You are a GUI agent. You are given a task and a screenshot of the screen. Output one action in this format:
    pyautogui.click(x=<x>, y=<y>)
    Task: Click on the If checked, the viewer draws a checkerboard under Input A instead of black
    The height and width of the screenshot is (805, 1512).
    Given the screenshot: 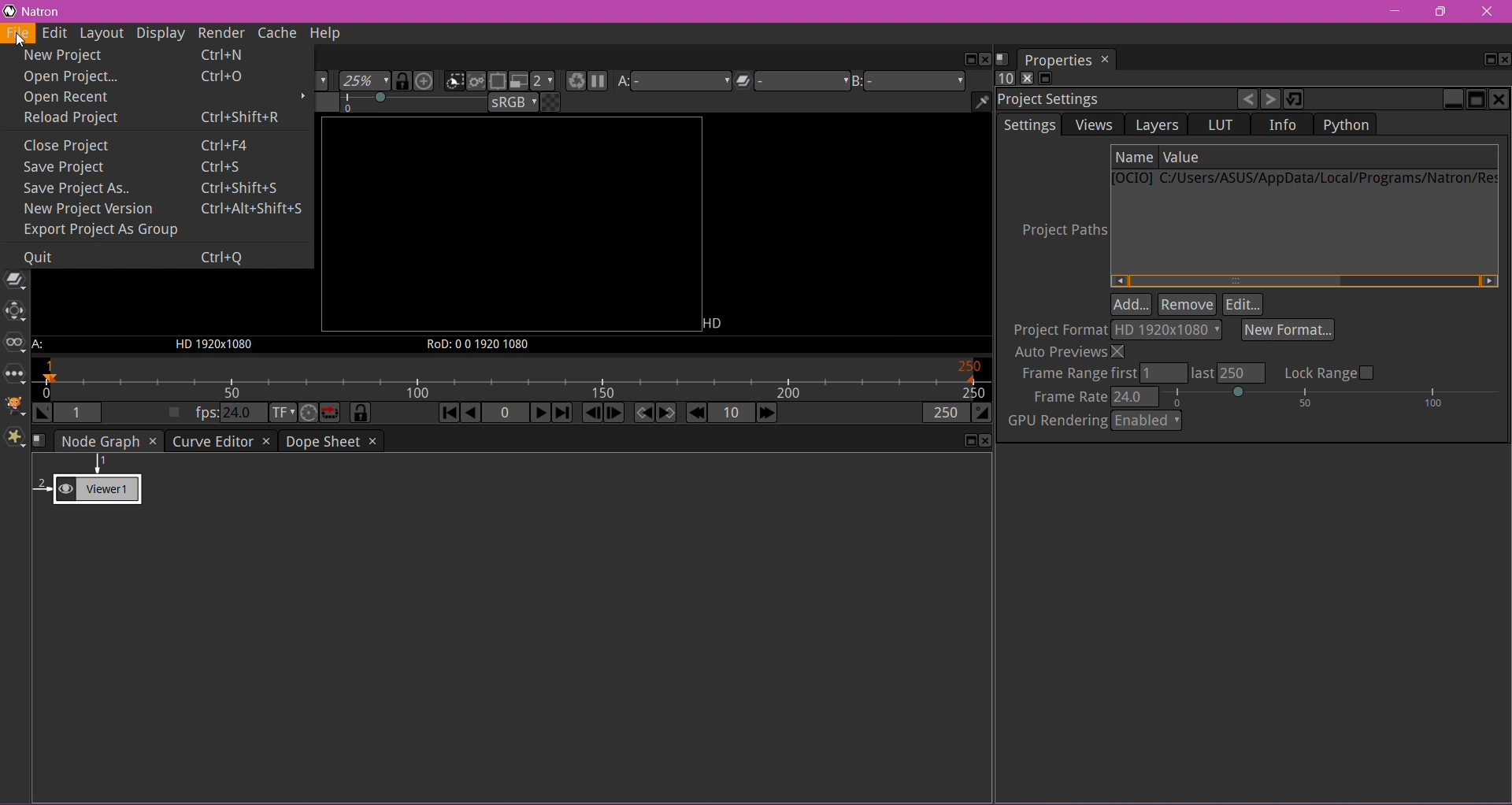 What is the action you would take?
    pyautogui.click(x=552, y=103)
    